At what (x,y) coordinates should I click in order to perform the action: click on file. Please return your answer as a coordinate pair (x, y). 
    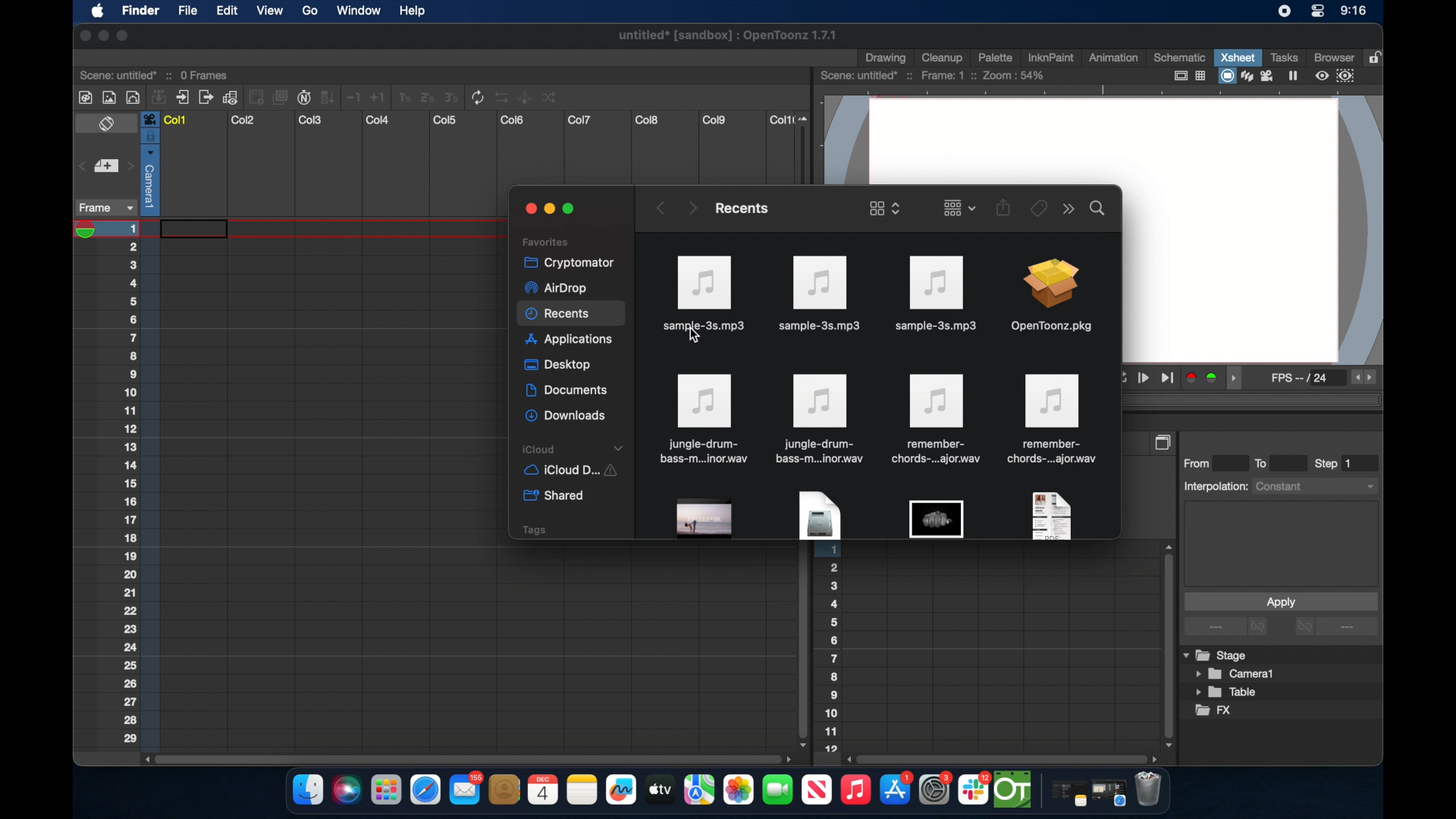
    Looking at the image, I should click on (702, 419).